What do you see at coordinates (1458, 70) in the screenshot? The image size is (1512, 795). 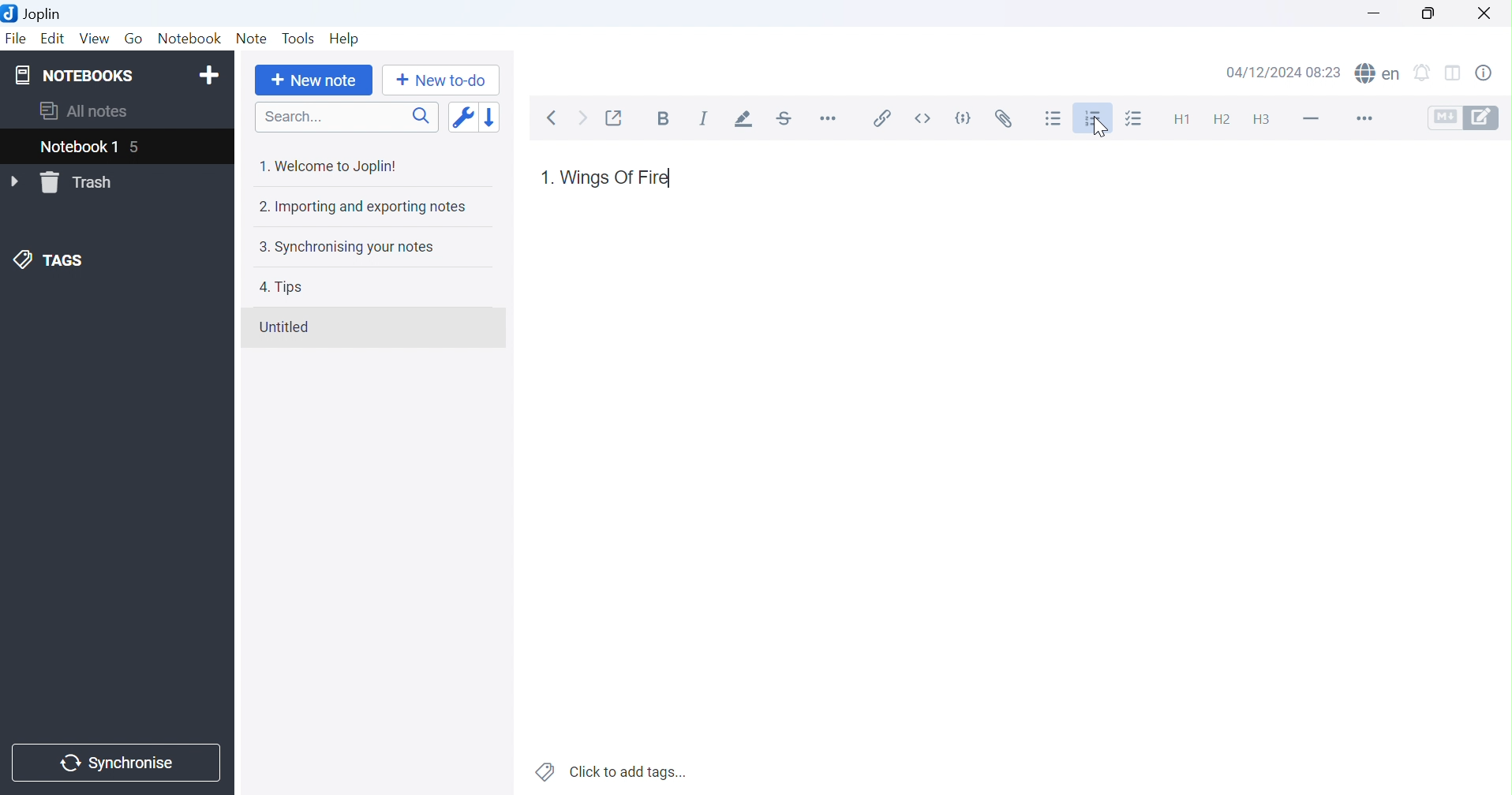 I see `Toggle editor layout` at bounding box center [1458, 70].